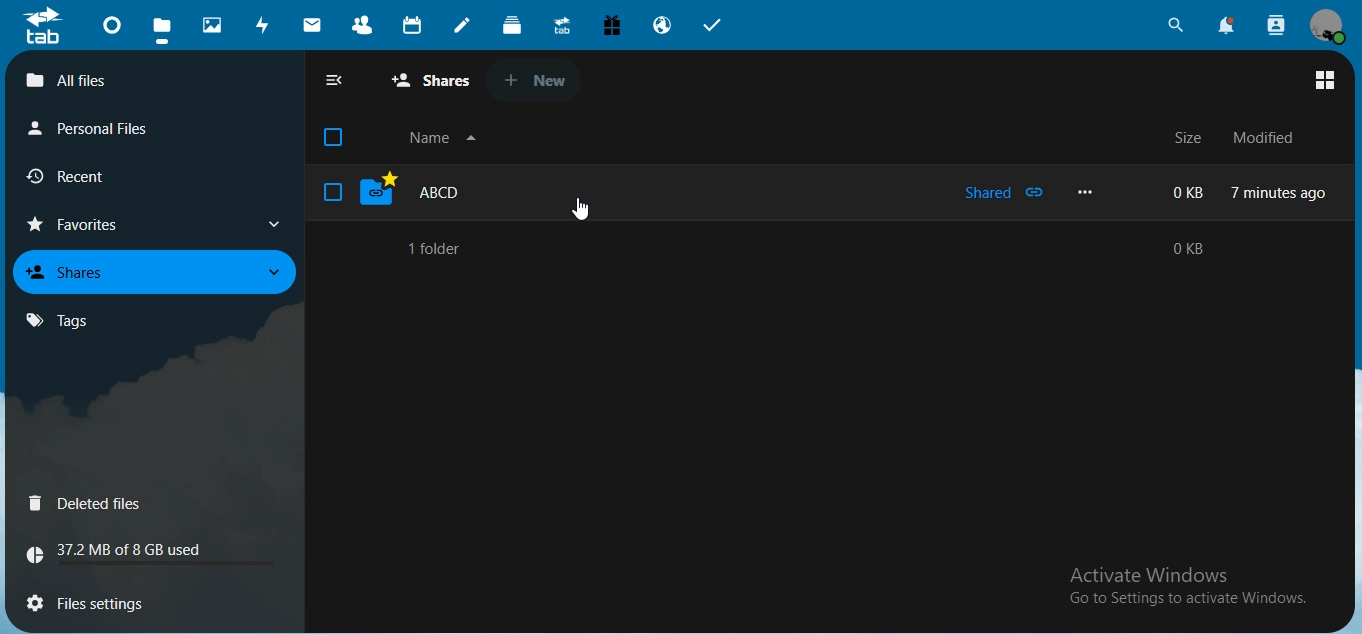  I want to click on all files, so click(432, 82).